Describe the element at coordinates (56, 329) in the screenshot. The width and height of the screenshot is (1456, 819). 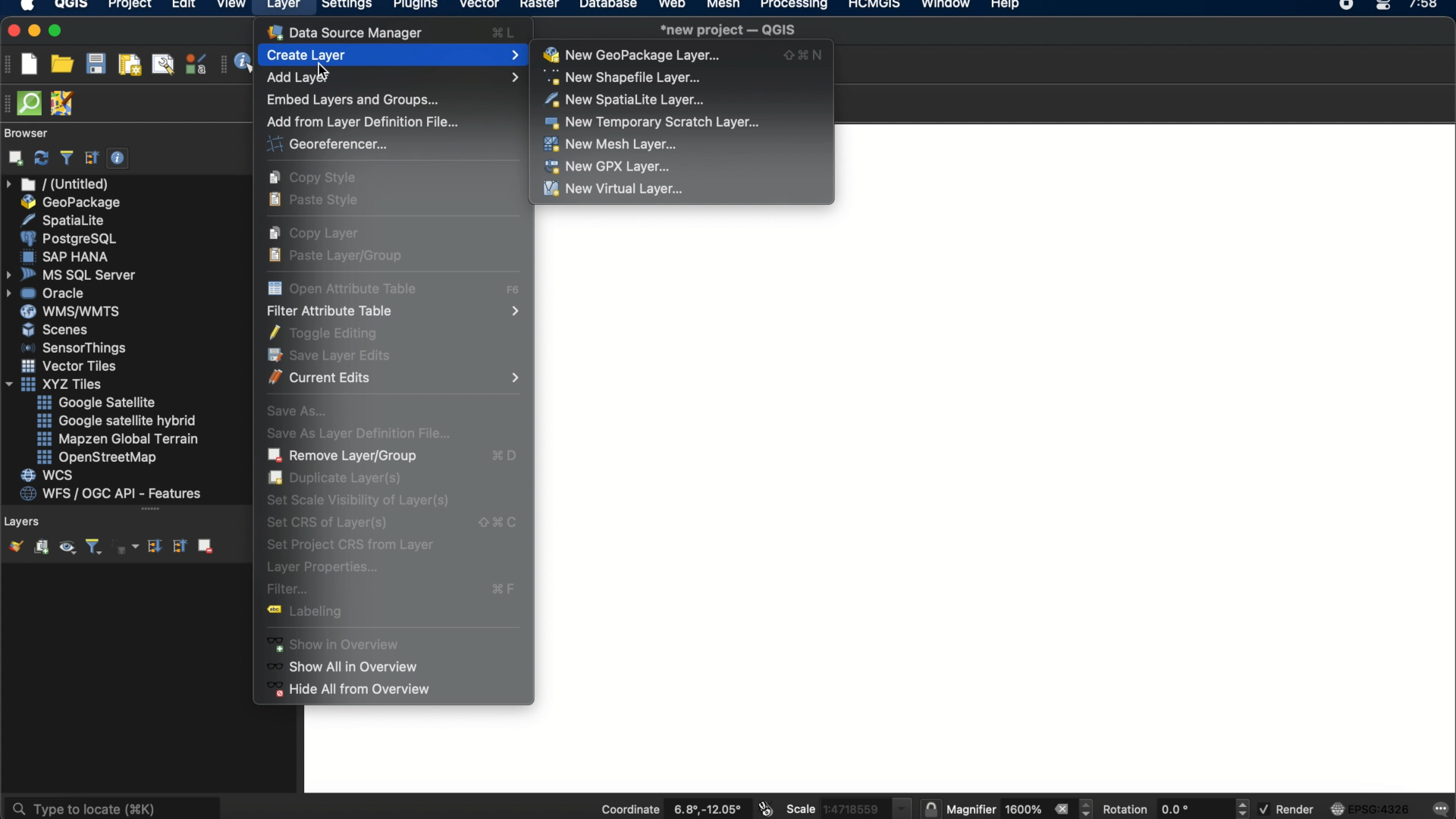
I see `scenes` at that location.